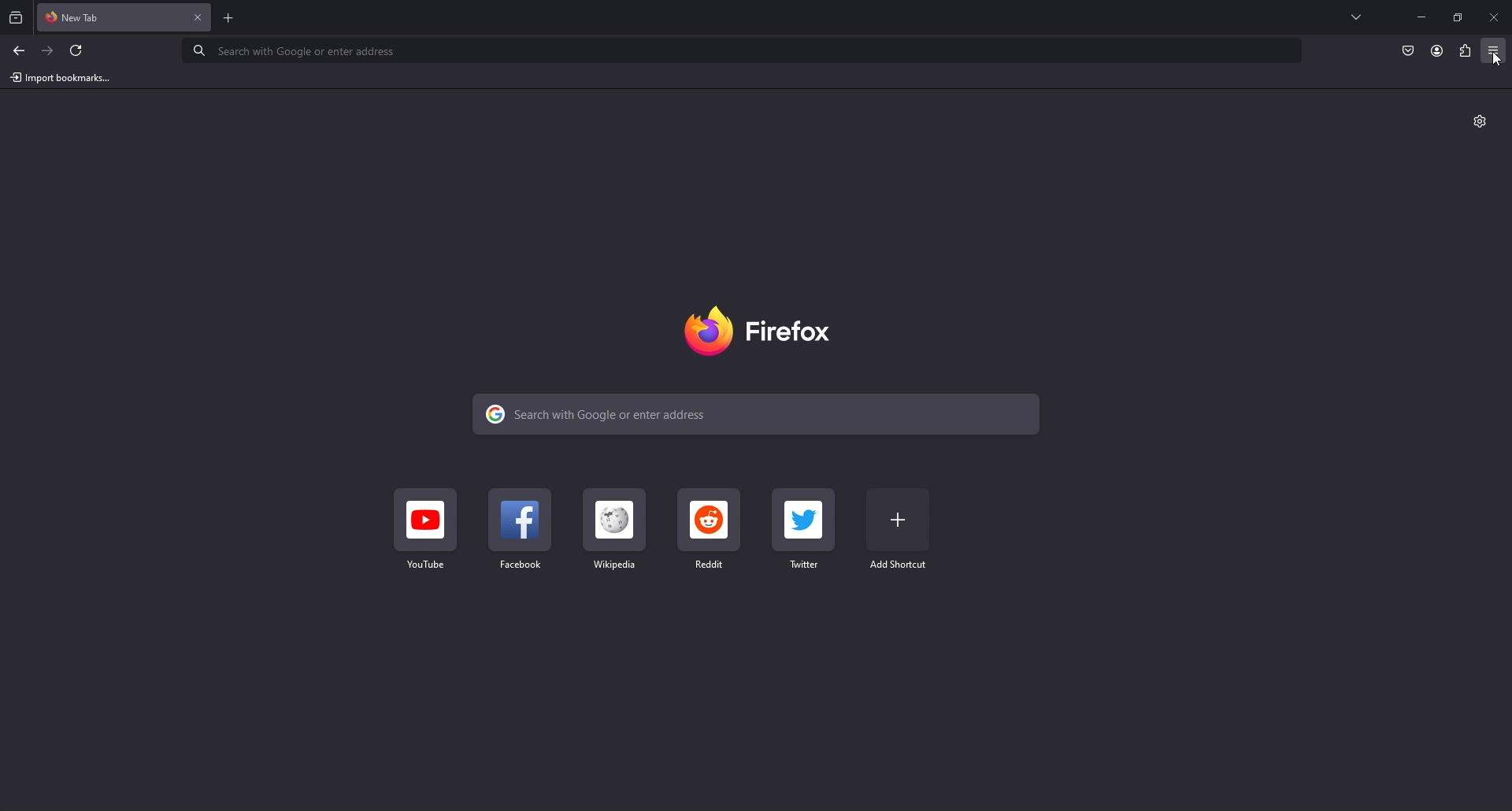 Image resolution: width=1512 pixels, height=811 pixels. I want to click on import bookmarks, so click(64, 76).